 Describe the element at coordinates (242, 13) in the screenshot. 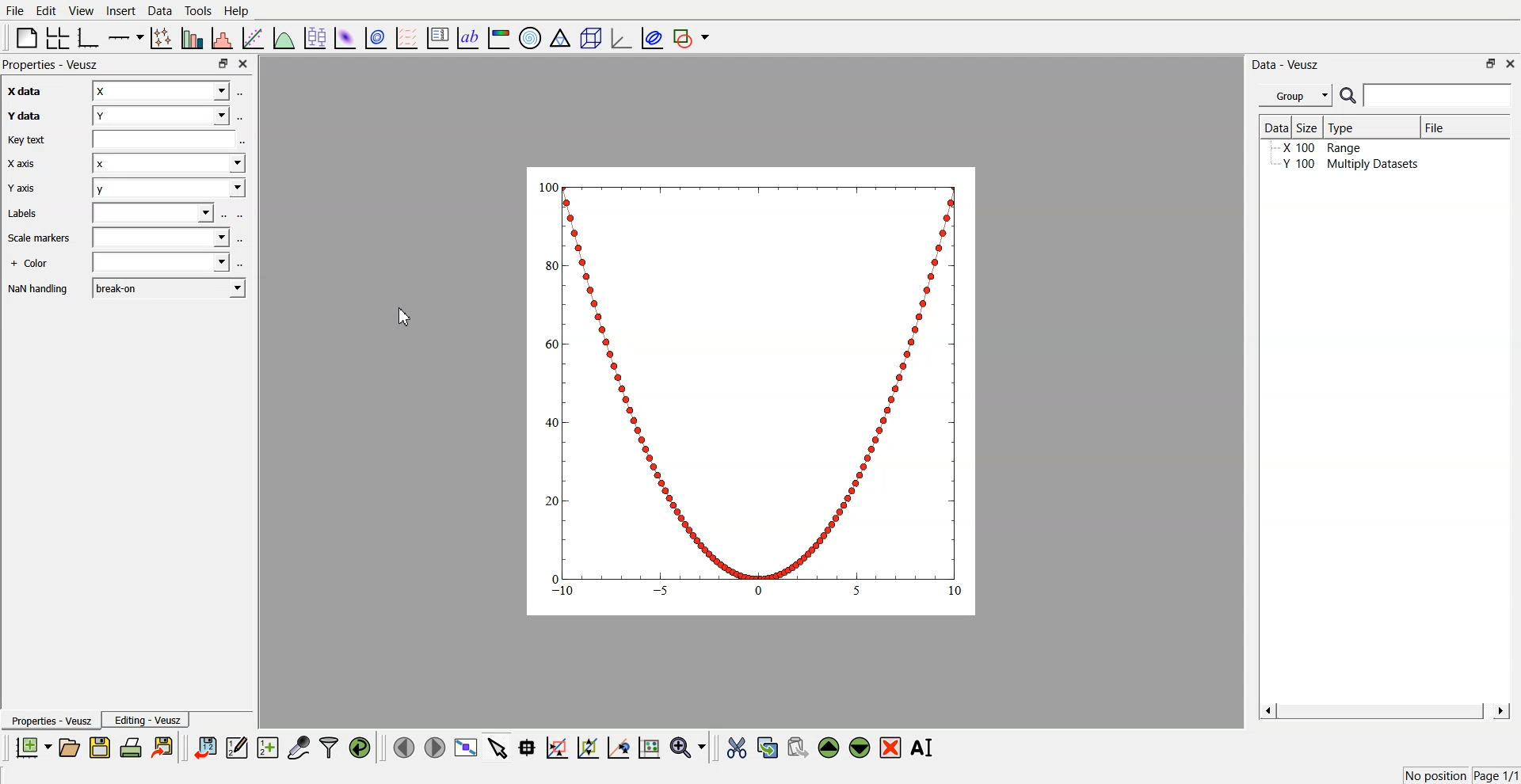

I see `Help` at that location.